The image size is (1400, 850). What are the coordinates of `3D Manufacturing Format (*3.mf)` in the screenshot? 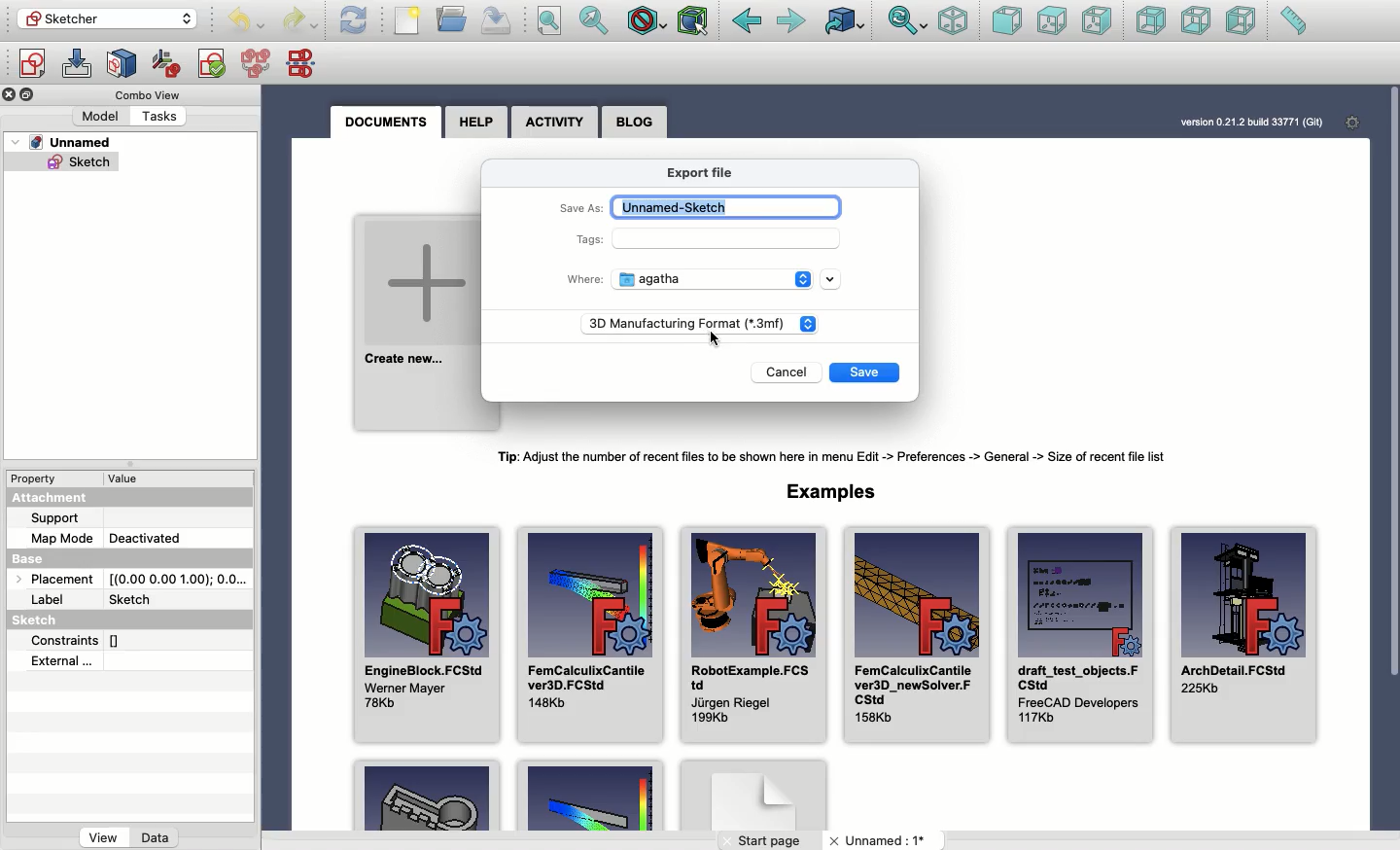 It's located at (703, 324).